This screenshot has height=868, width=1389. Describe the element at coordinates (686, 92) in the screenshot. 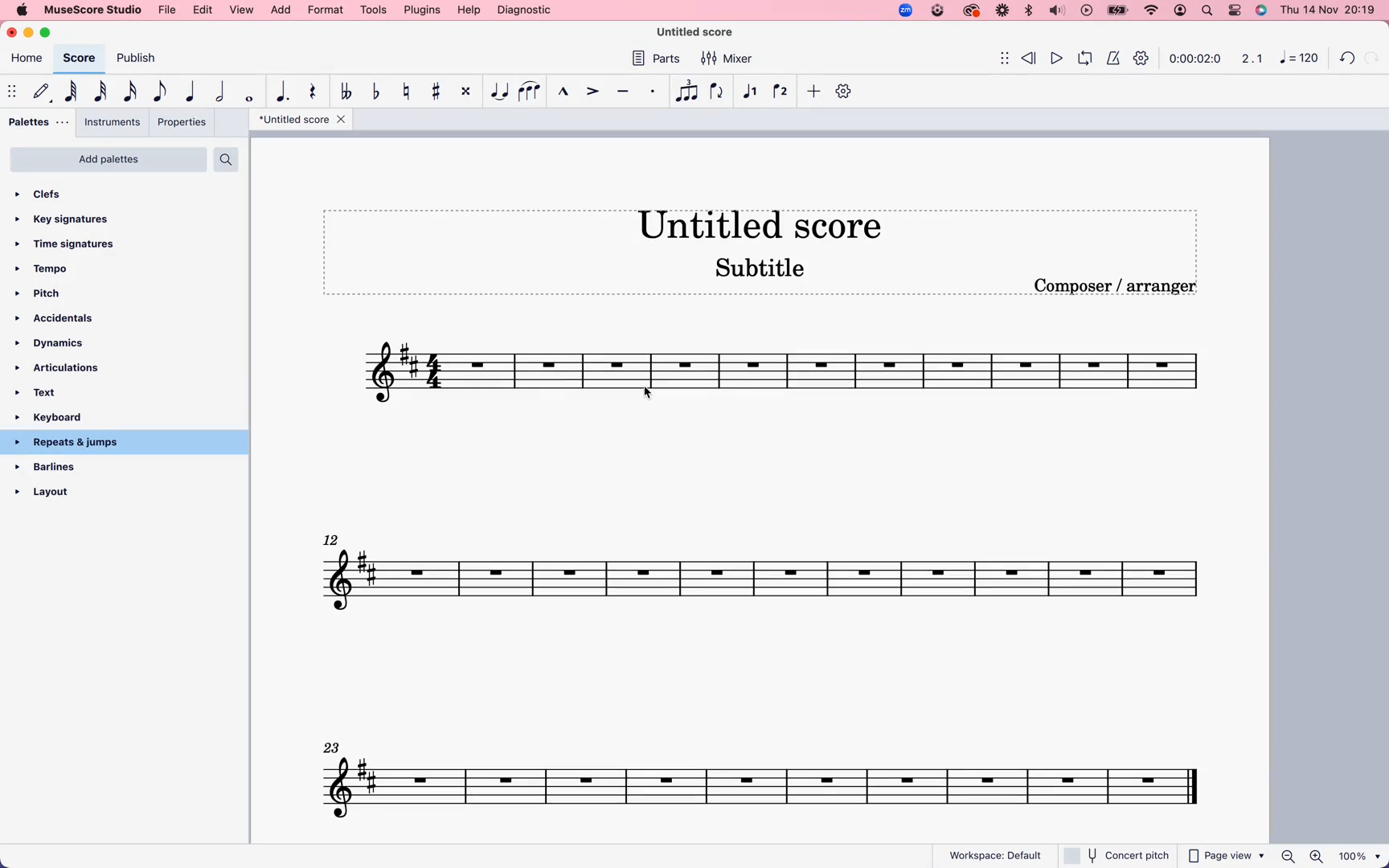

I see `tuplet` at that location.